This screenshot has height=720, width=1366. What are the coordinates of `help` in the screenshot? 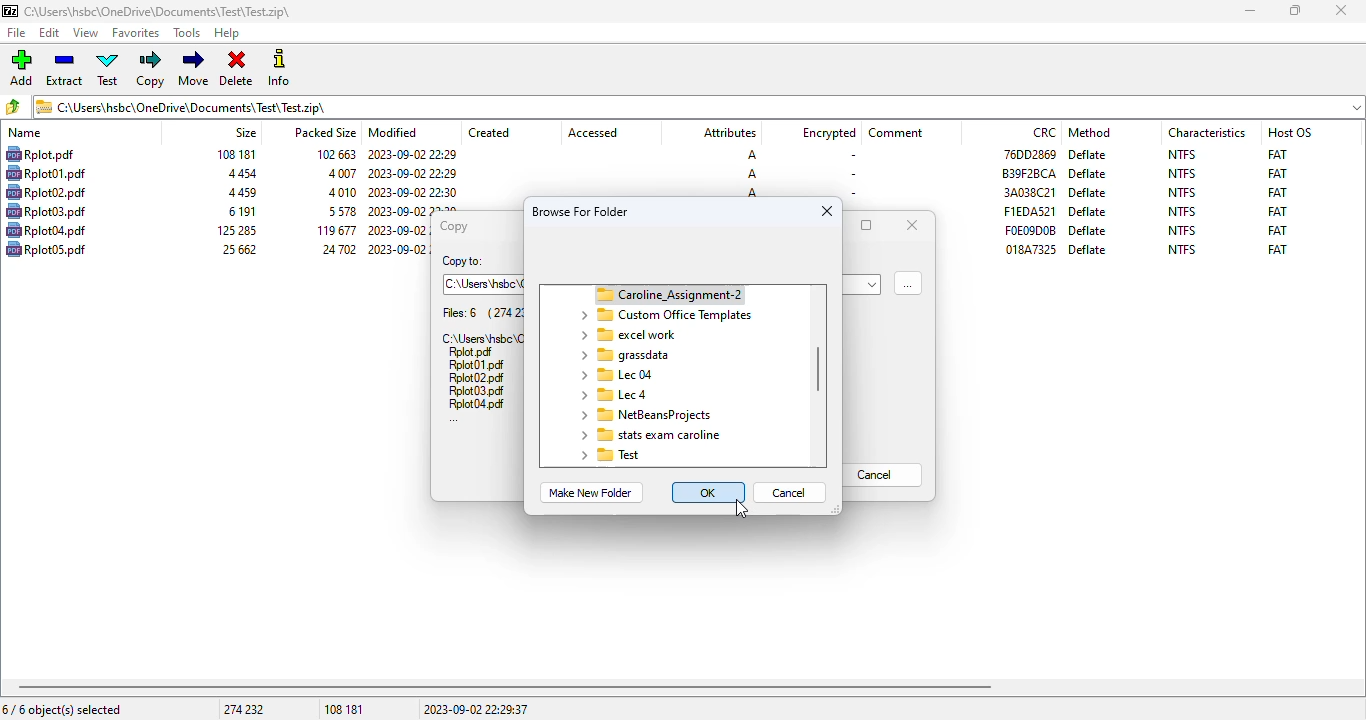 It's located at (227, 34).